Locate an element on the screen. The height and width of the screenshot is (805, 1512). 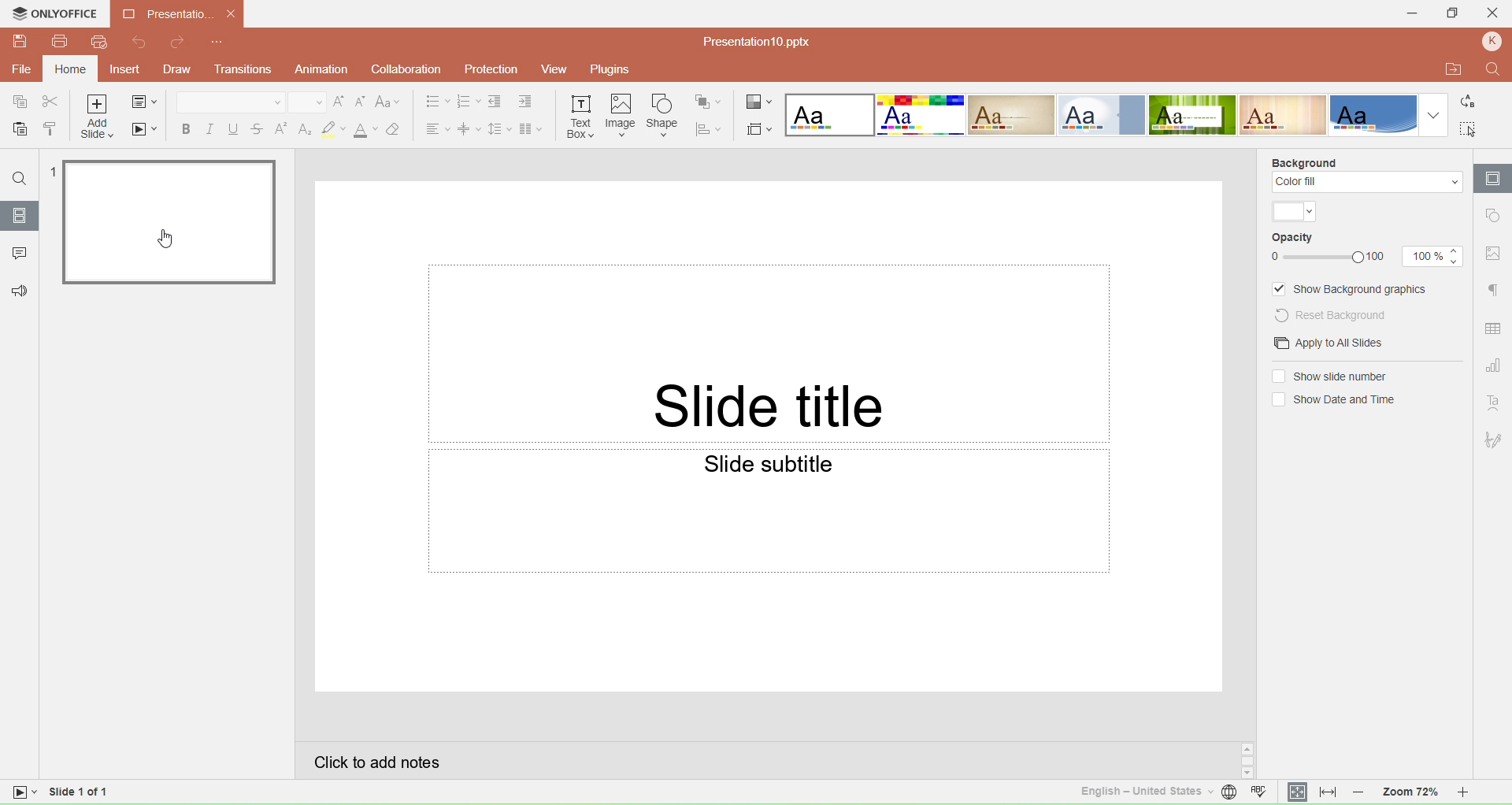
1 is located at coordinates (50, 171).